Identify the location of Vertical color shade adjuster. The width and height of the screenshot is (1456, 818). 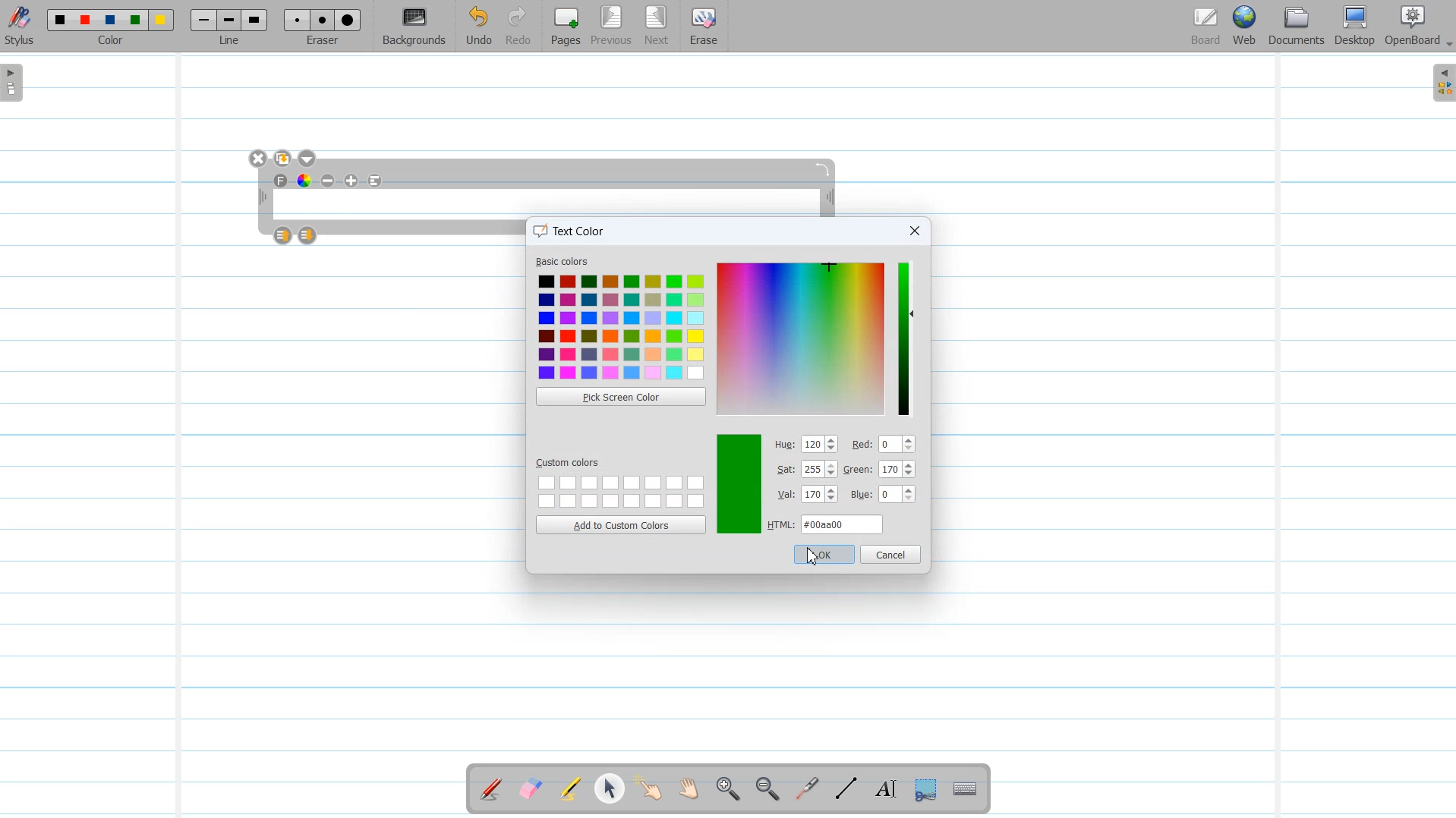
(905, 338).